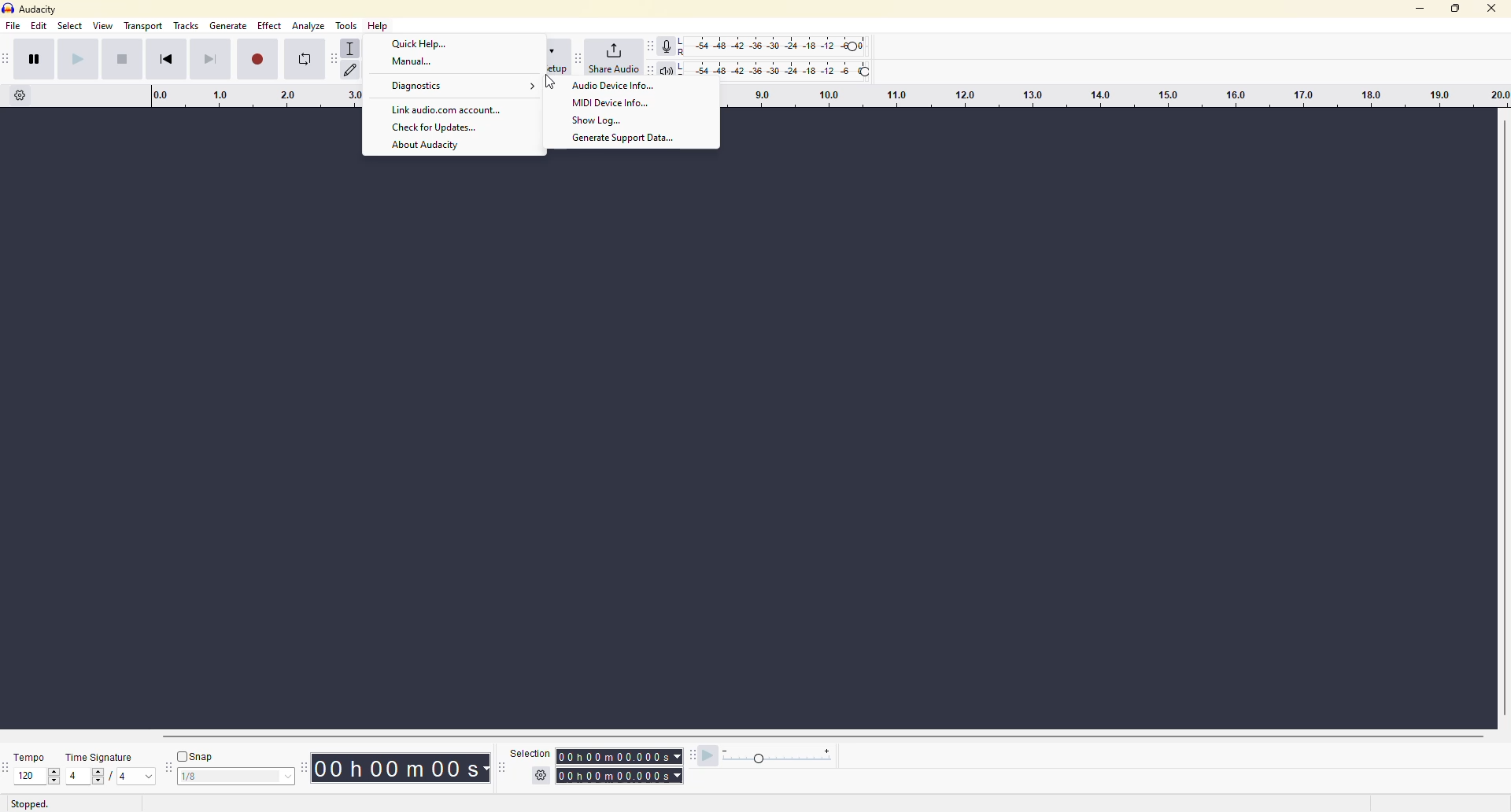 This screenshot has width=1511, height=812. Describe the element at coordinates (463, 87) in the screenshot. I see `Diagnostics ` at that location.